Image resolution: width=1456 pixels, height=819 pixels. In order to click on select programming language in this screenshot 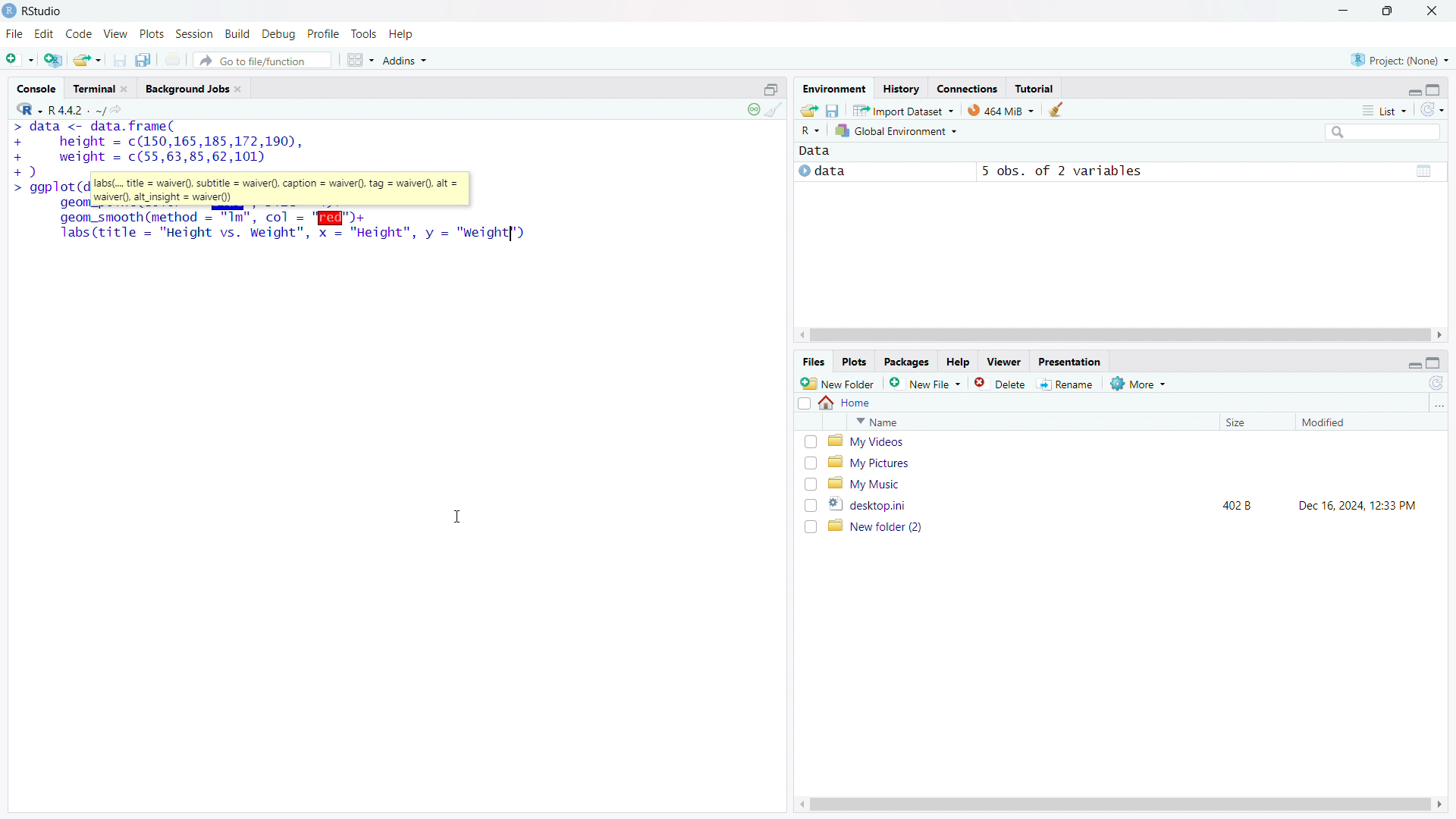, I will do `click(29, 108)`.